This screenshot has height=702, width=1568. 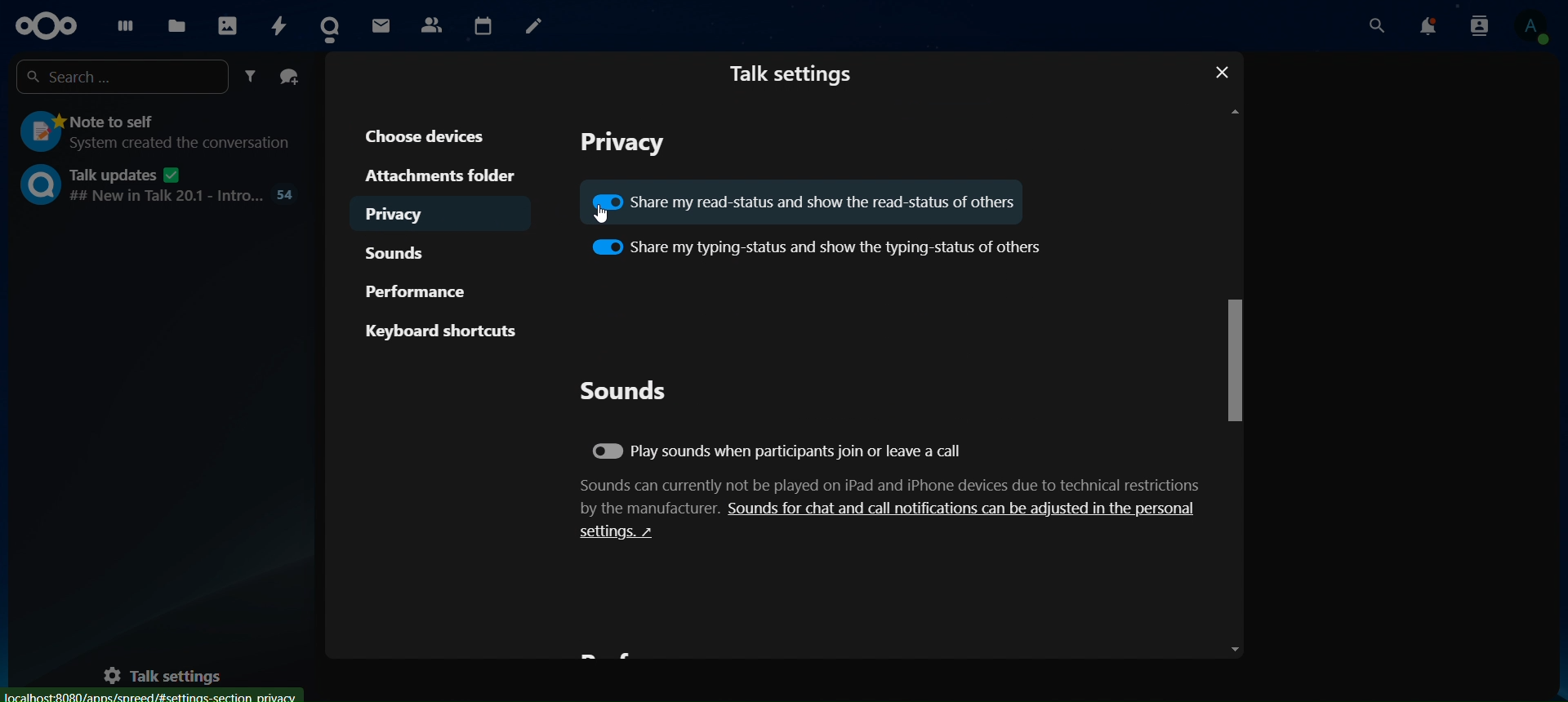 What do you see at coordinates (482, 23) in the screenshot?
I see `calendar` at bounding box center [482, 23].